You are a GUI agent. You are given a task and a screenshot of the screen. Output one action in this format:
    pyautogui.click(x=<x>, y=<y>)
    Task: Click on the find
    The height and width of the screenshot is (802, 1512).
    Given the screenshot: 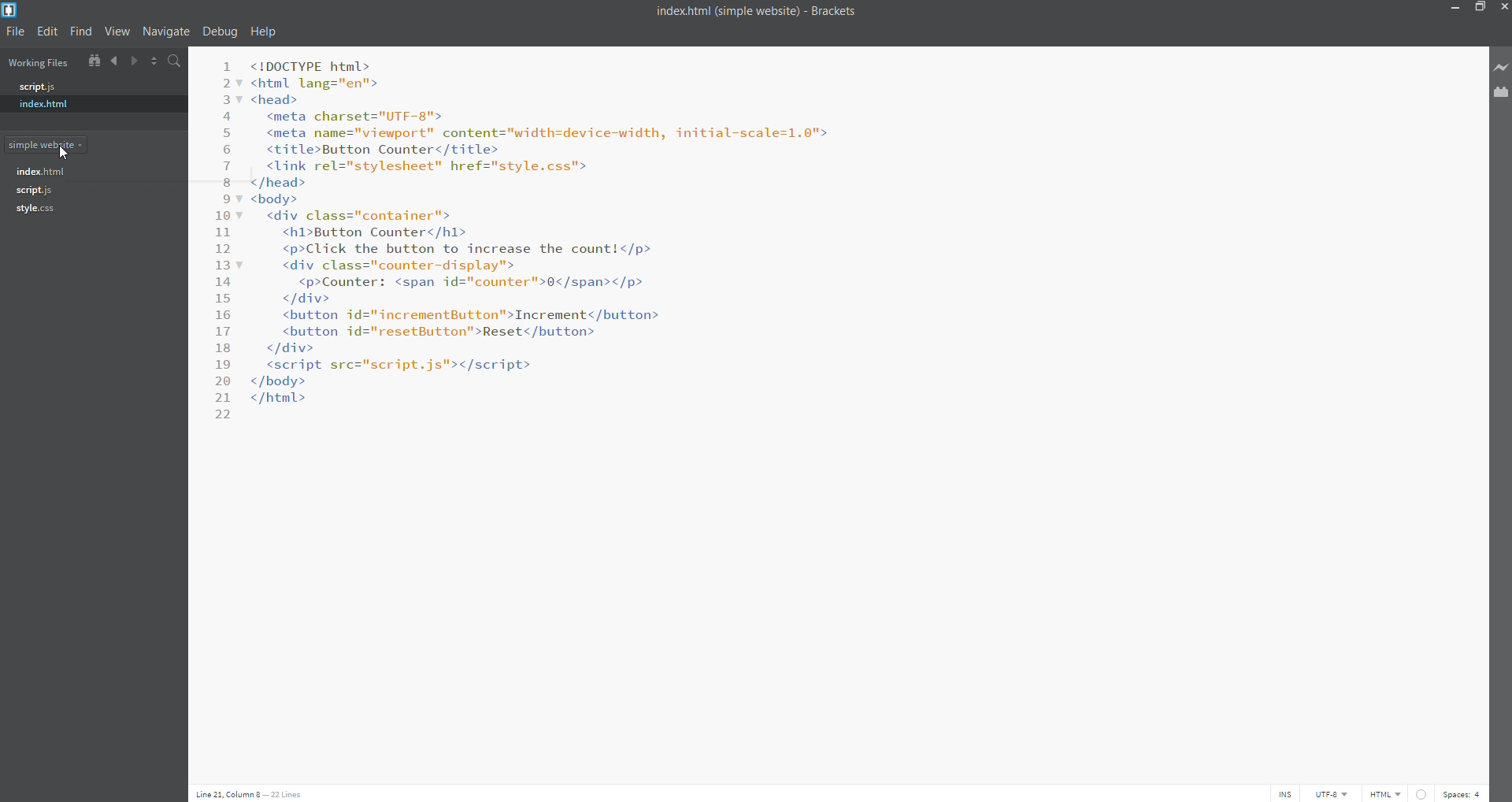 What is the action you would take?
    pyautogui.click(x=81, y=31)
    